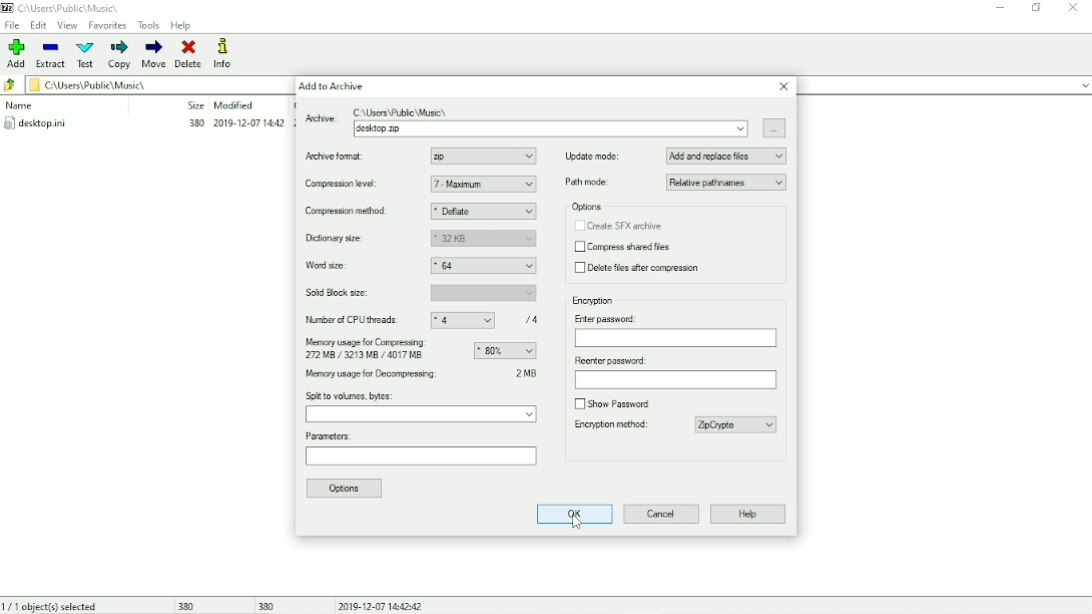  I want to click on Archive format, so click(363, 157).